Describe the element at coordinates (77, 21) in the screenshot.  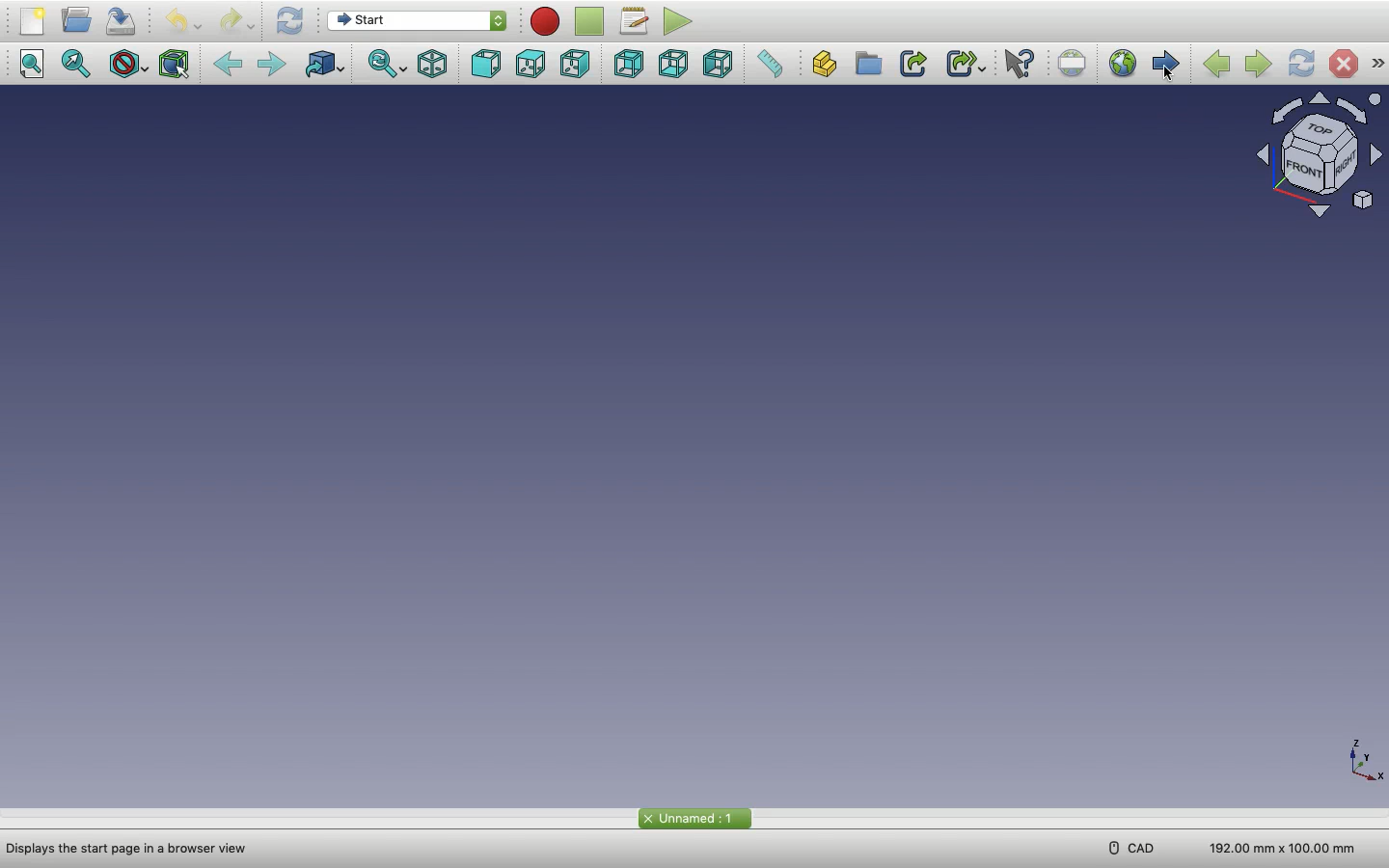
I see `Open` at that location.